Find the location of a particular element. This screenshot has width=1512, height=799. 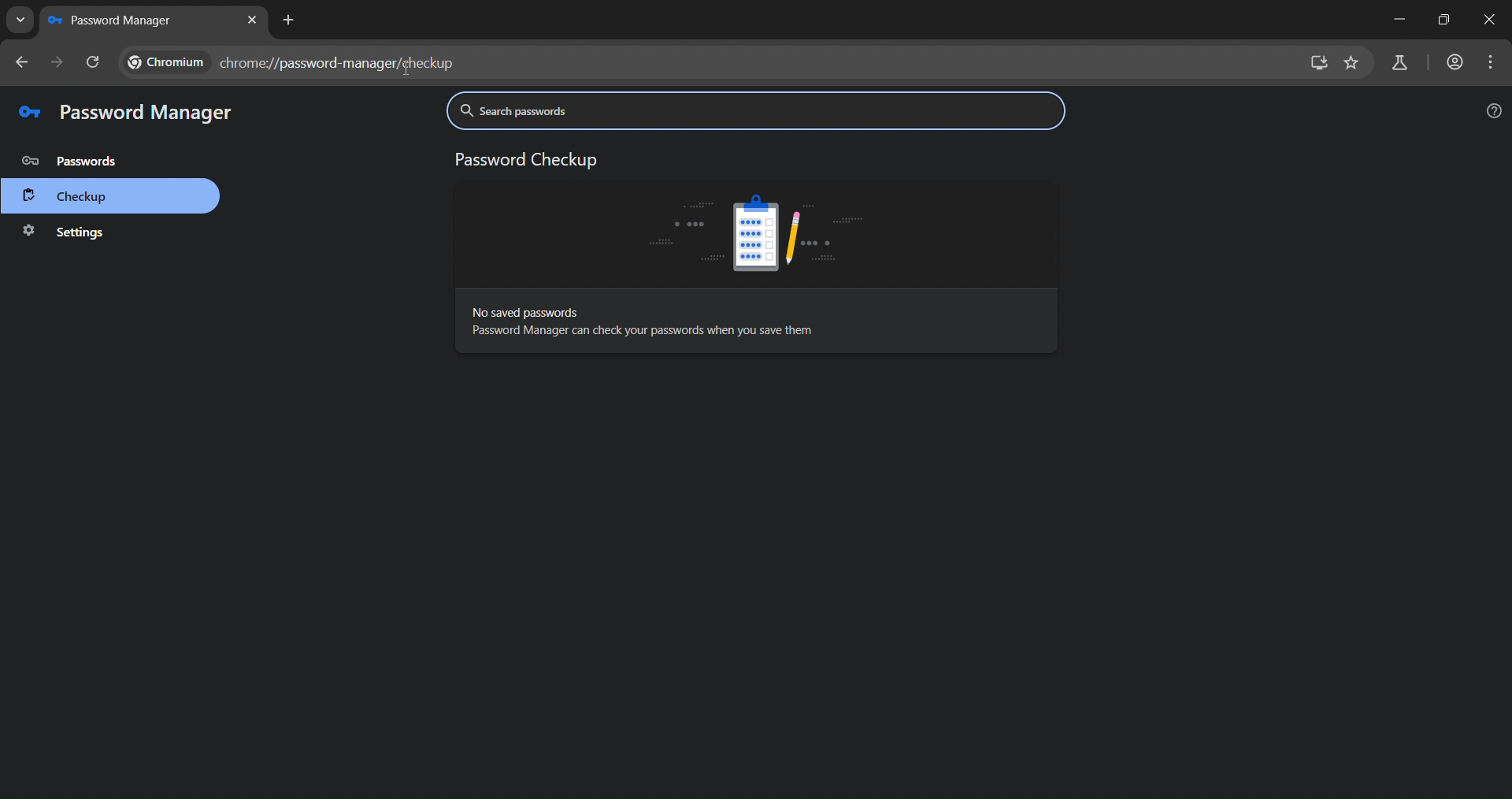

chrome://password-manager/checkup is located at coordinates (292, 62).